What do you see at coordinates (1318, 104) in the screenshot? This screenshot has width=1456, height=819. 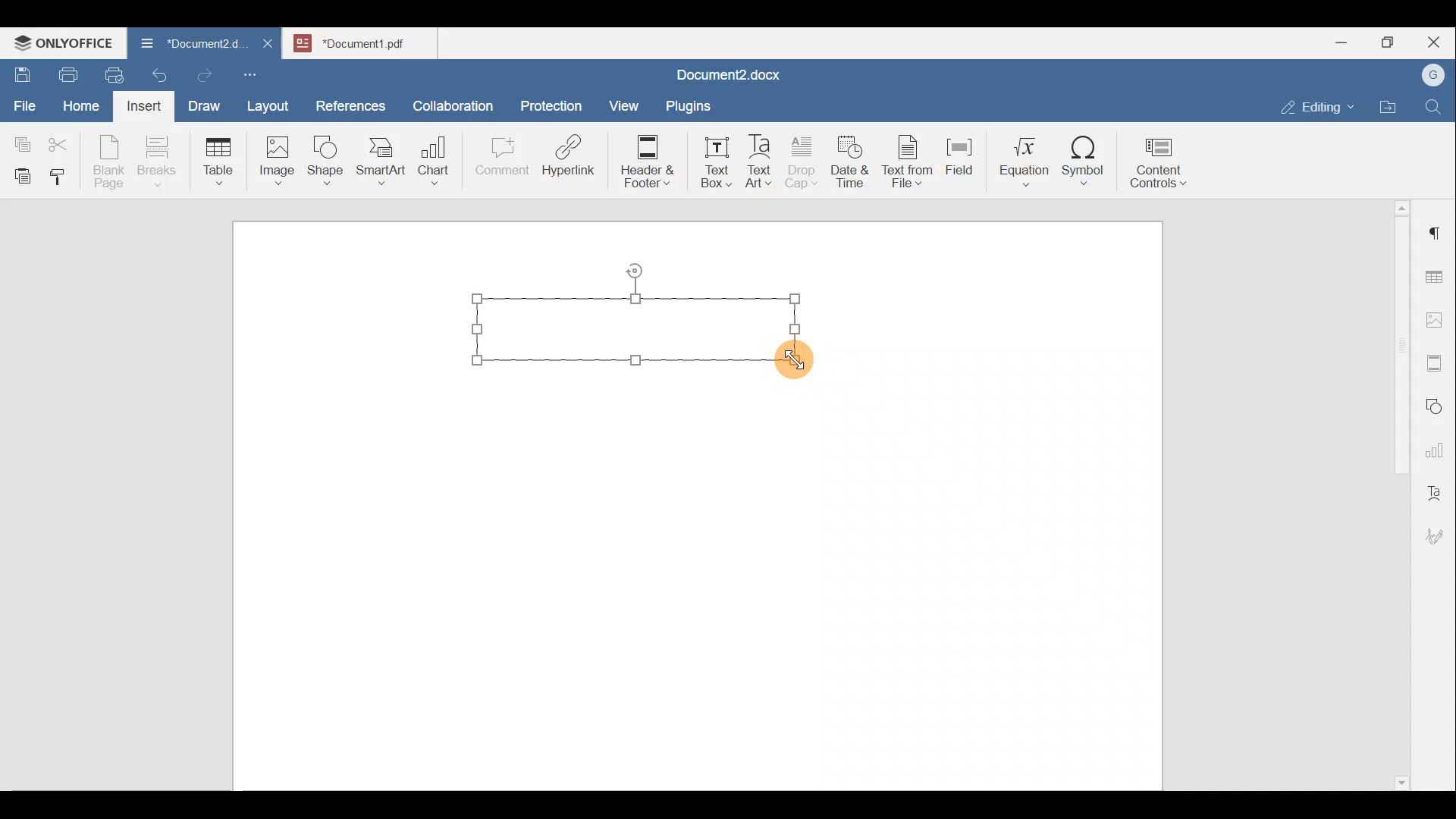 I see `Editing mode` at bounding box center [1318, 104].